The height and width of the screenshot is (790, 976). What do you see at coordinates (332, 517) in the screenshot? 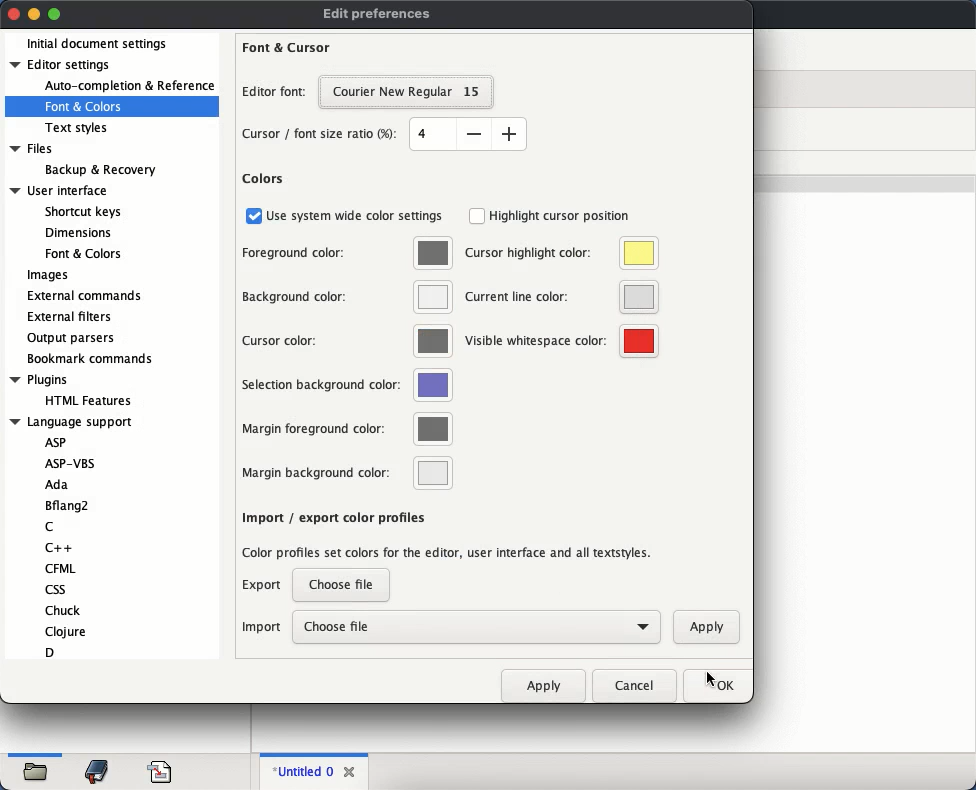
I see `import export color profiles` at bounding box center [332, 517].